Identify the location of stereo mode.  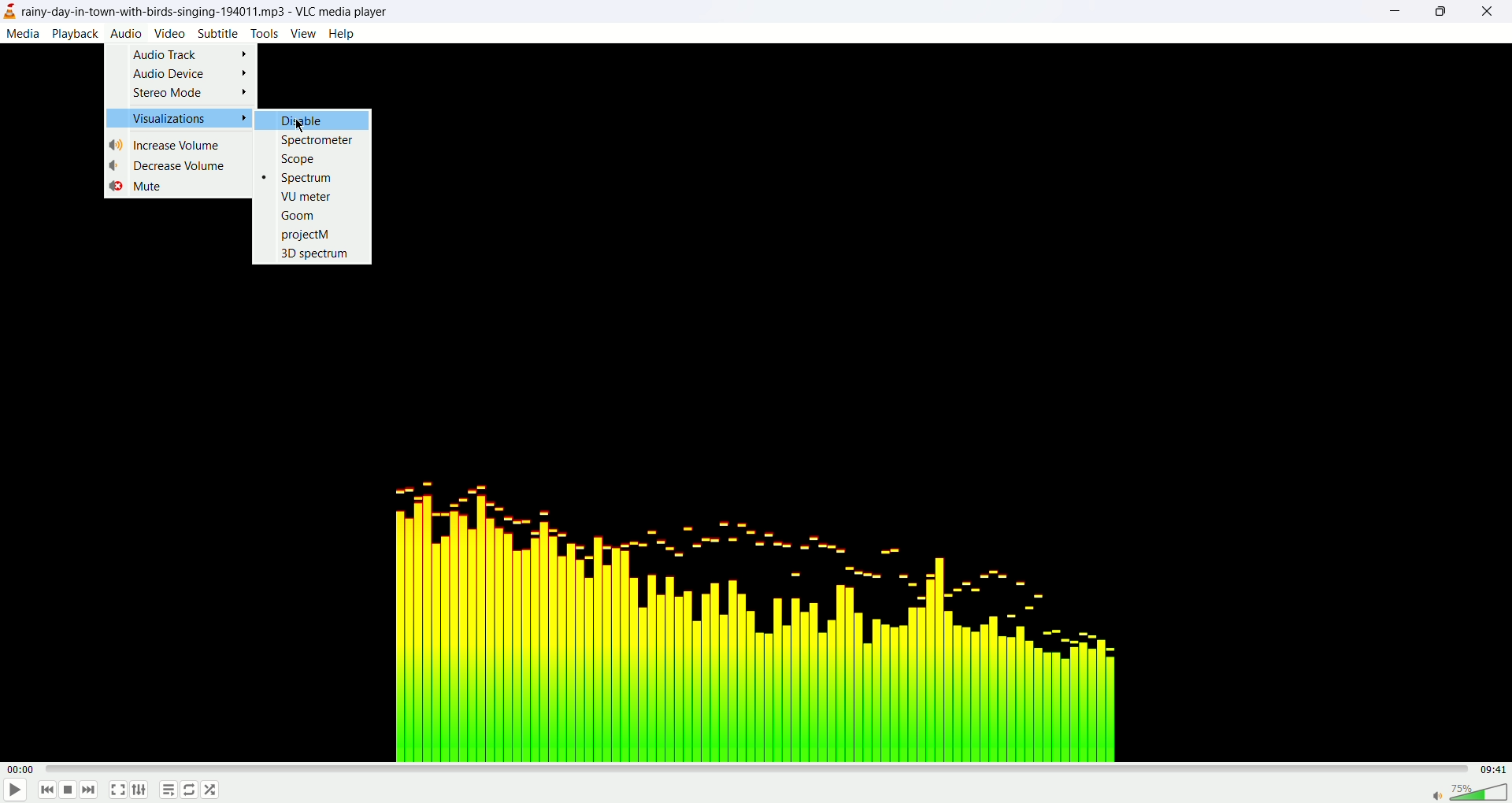
(190, 94).